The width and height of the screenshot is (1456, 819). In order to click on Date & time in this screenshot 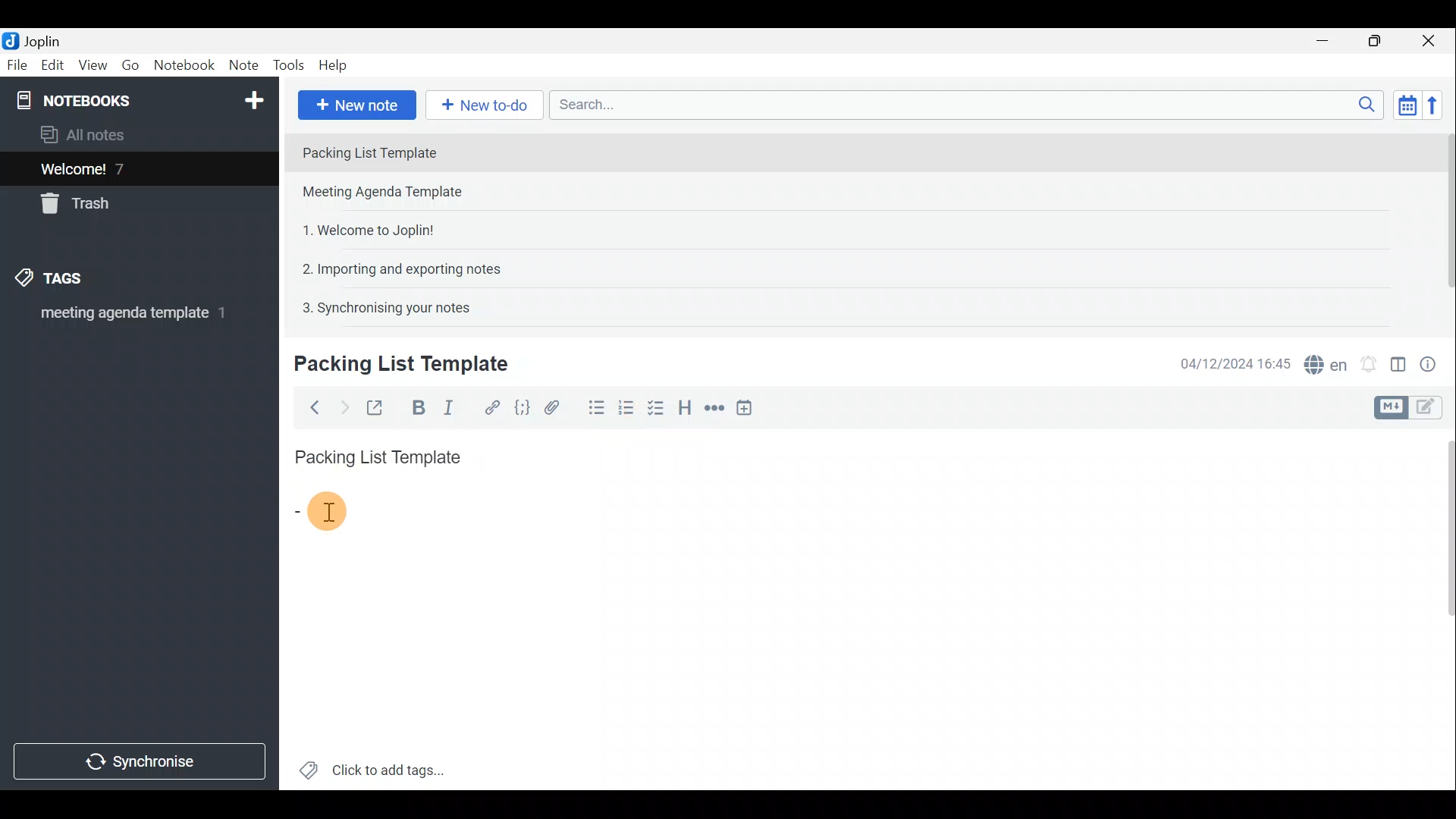, I will do `click(1235, 362)`.